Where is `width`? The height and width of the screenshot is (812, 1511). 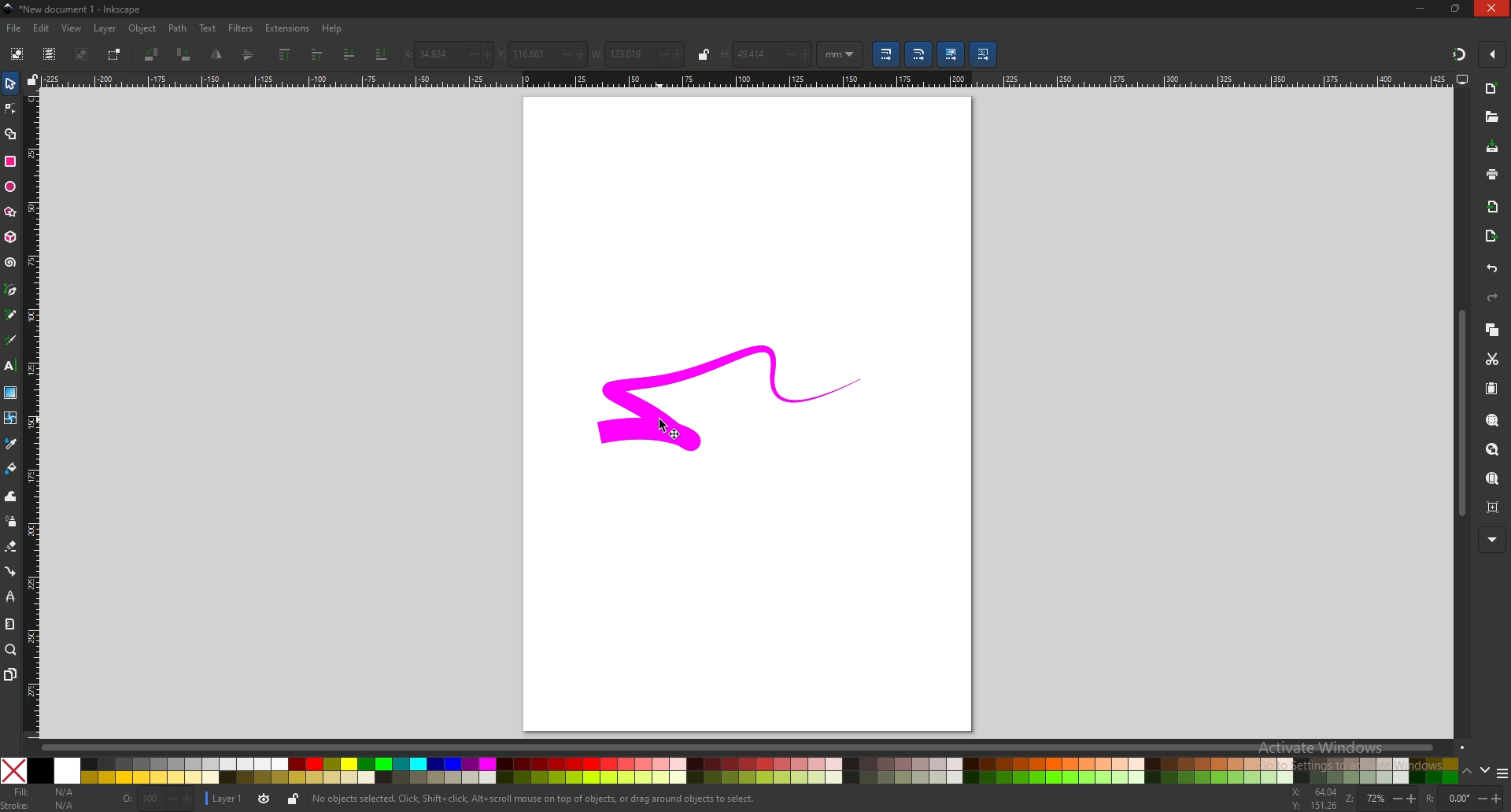 width is located at coordinates (638, 54).